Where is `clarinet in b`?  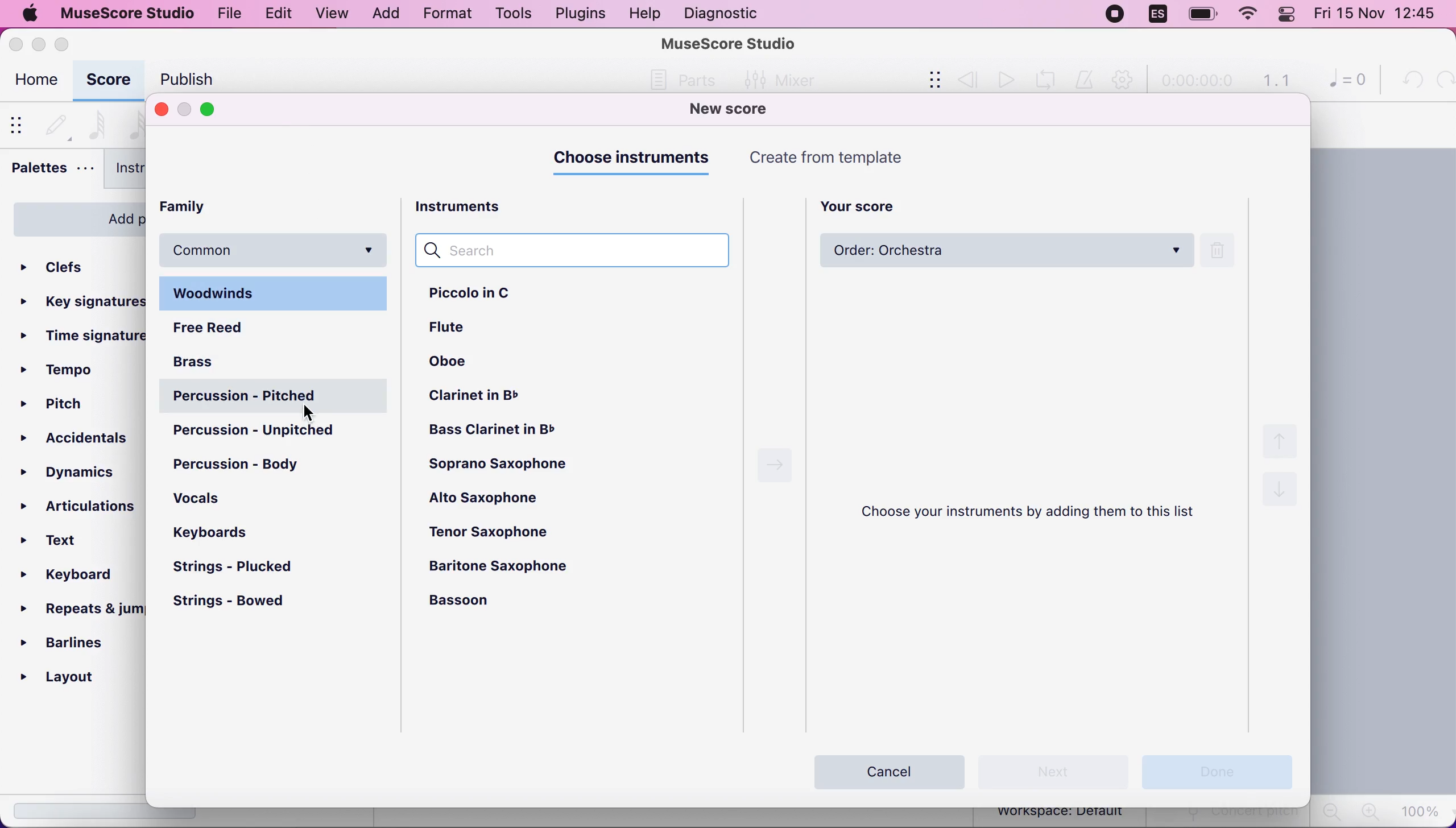
clarinet in b is located at coordinates (481, 394).